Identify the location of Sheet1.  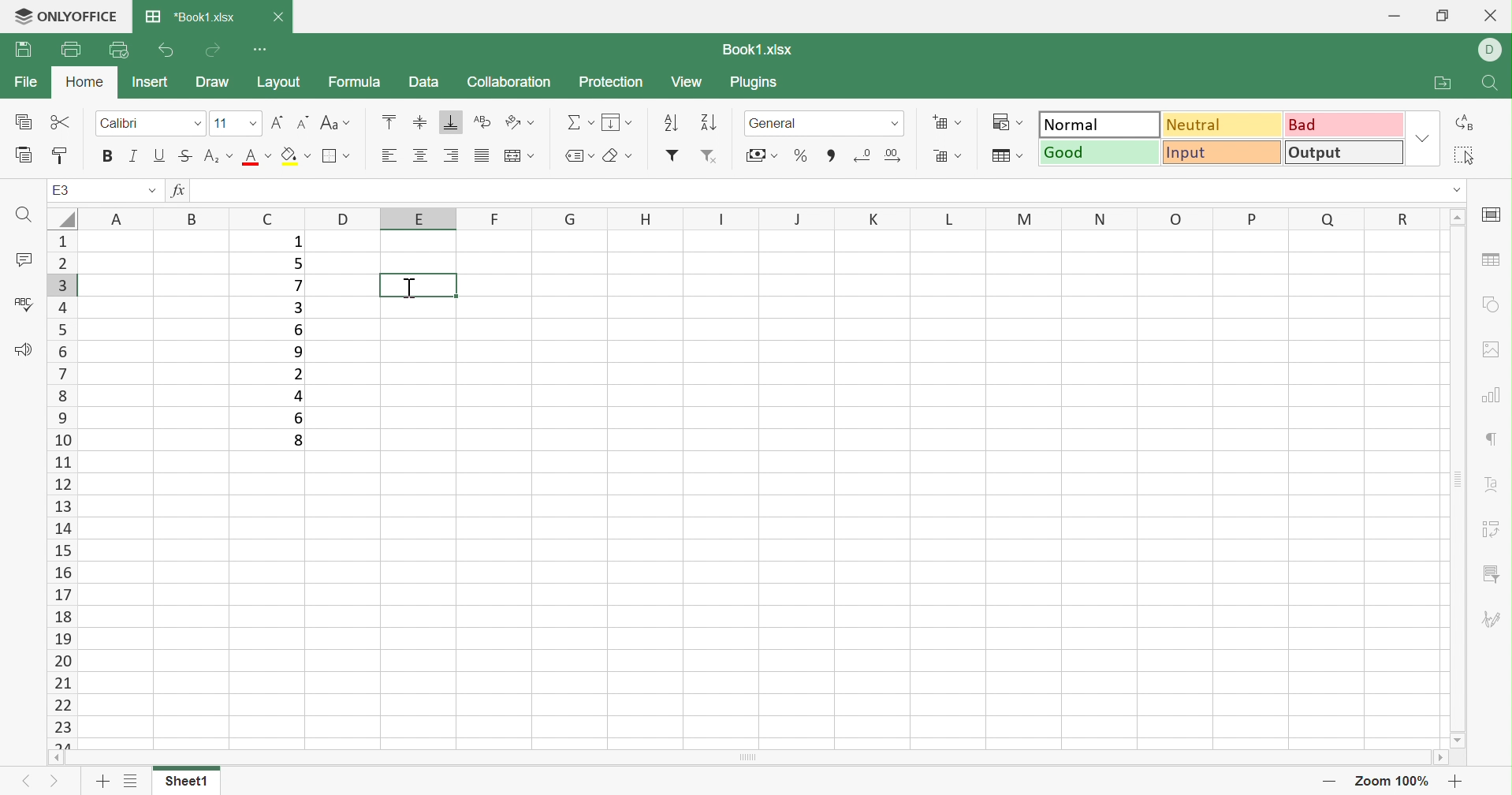
(188, 782).